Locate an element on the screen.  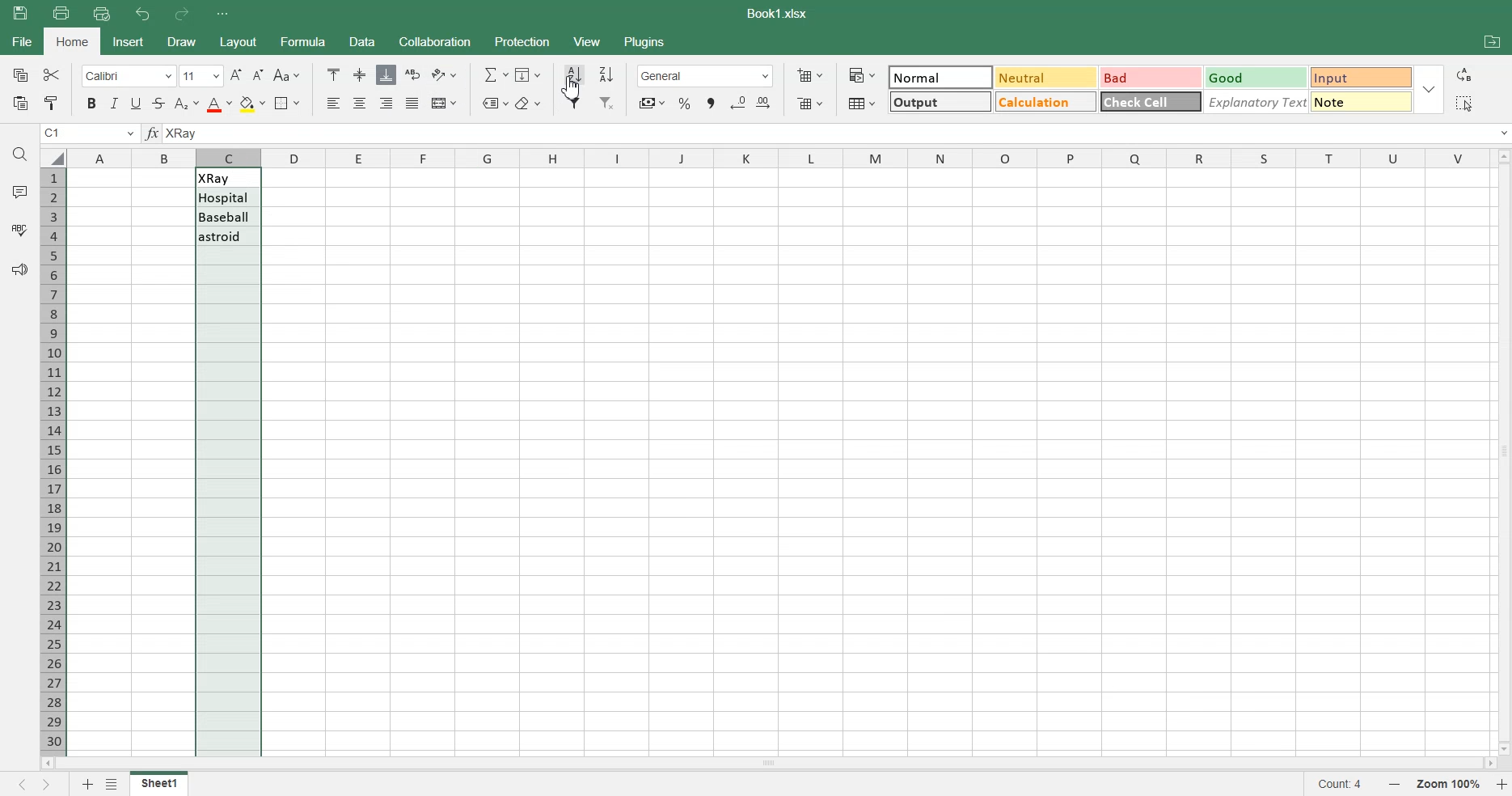
Customize Toolbar is located at coordinates (222, 14).